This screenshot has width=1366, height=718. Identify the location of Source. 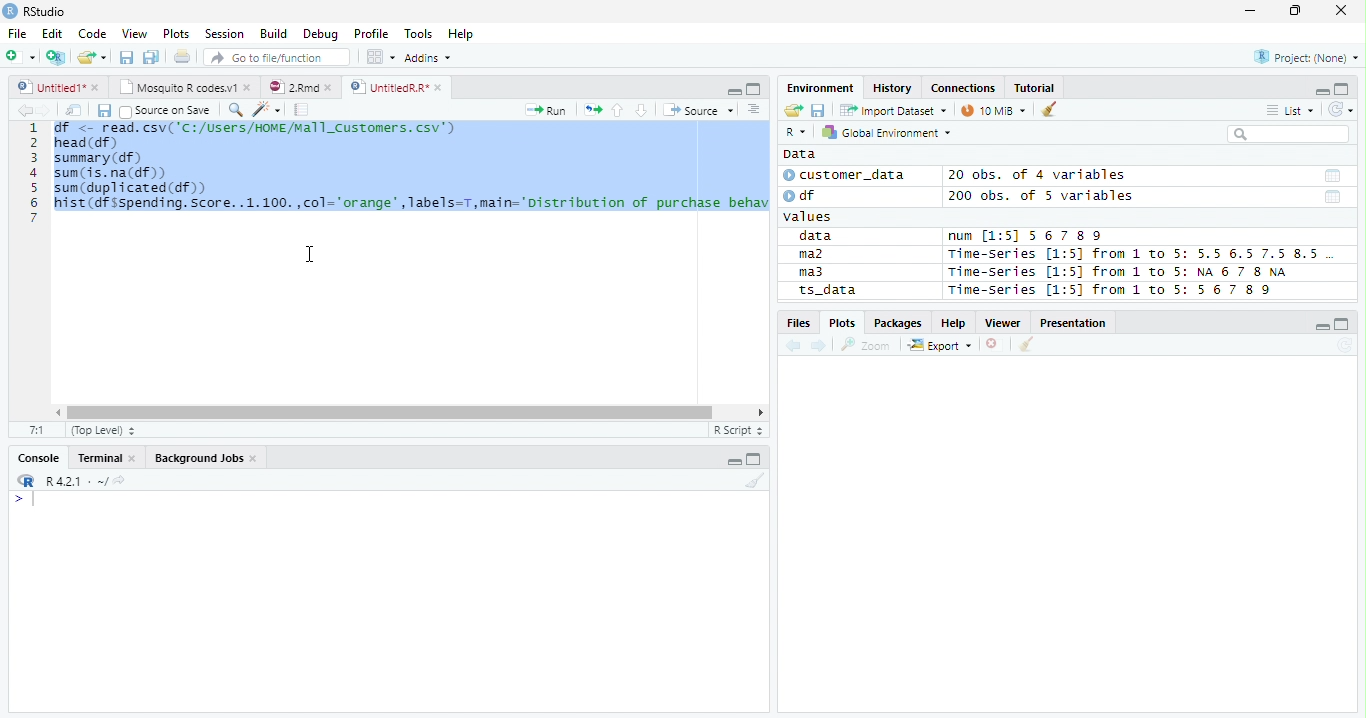
(696, 110).